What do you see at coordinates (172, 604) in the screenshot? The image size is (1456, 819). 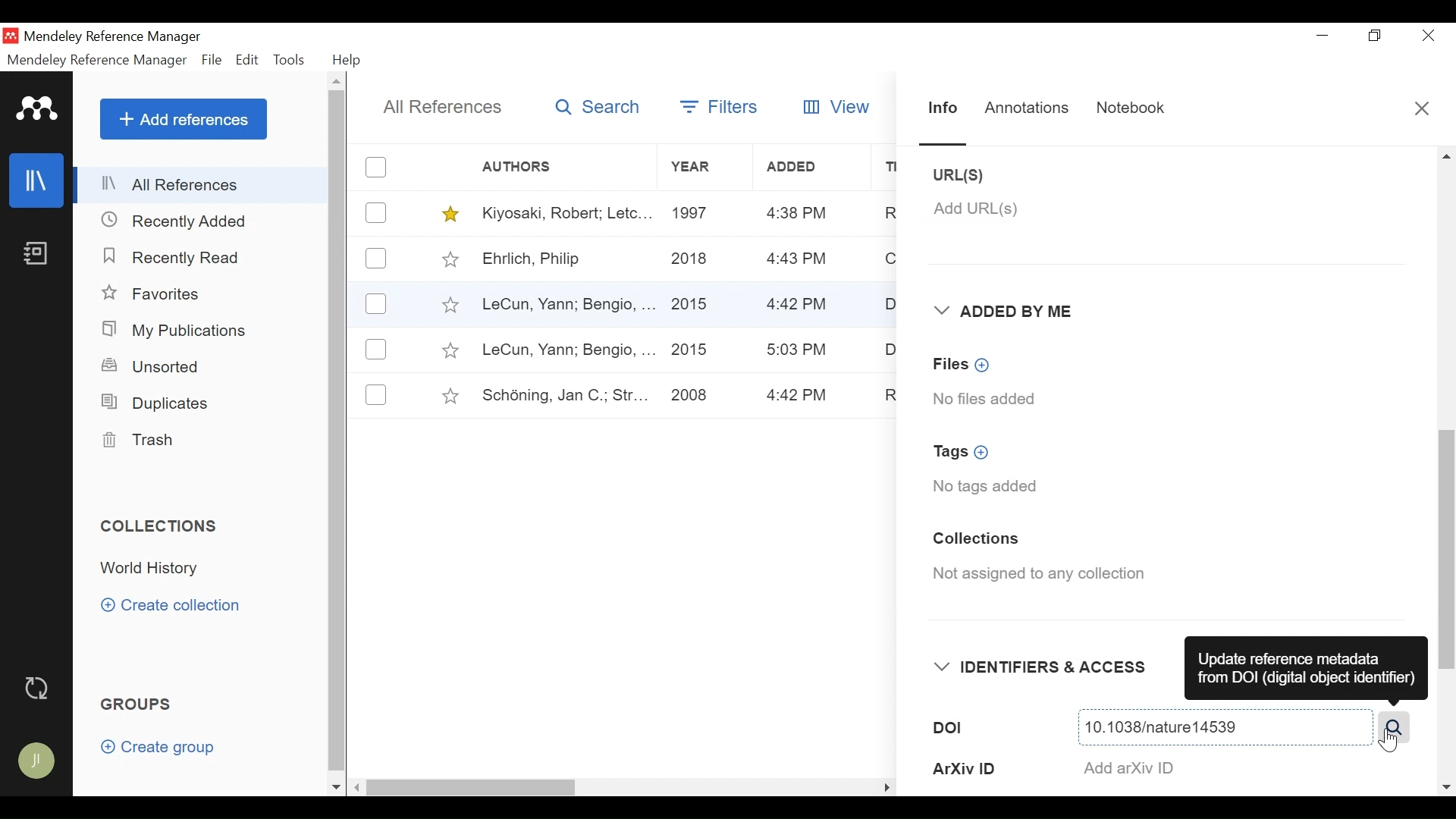 I see `Create category` at bounding box center [172, 604].